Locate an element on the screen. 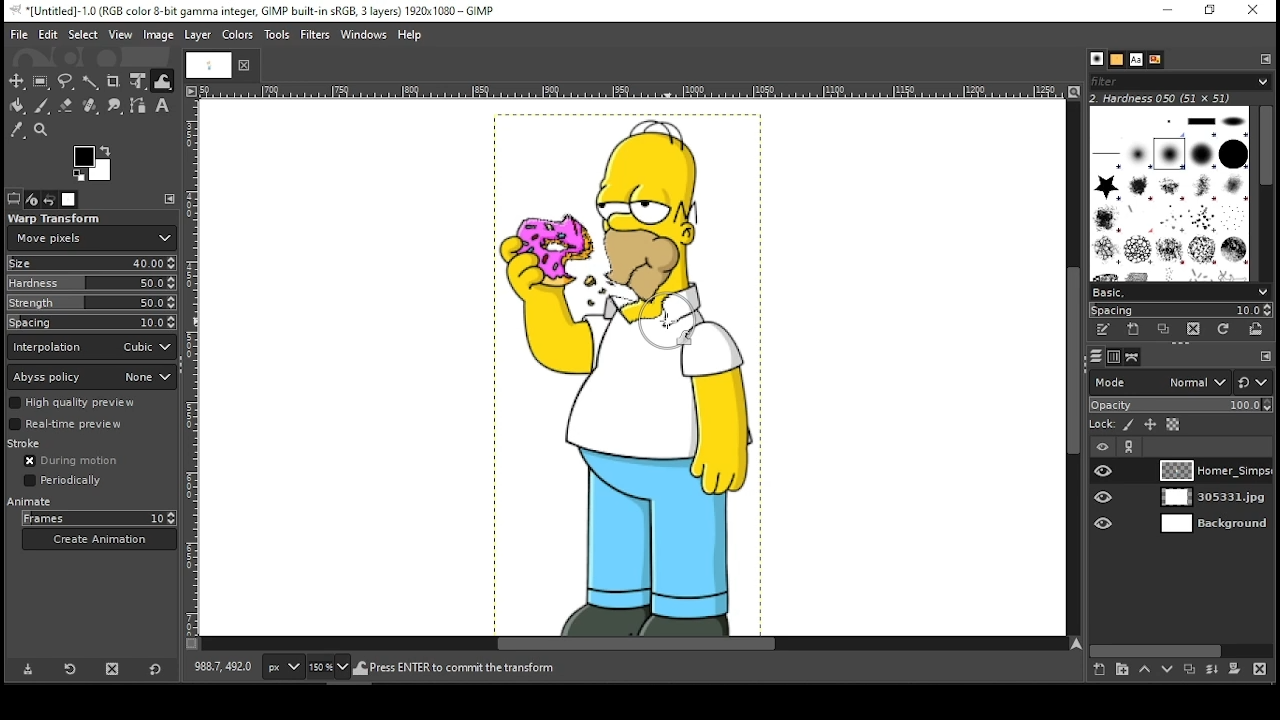 This screenshot has width=1280, height=720. hardness 050 is located at coordinates (1187, 99).